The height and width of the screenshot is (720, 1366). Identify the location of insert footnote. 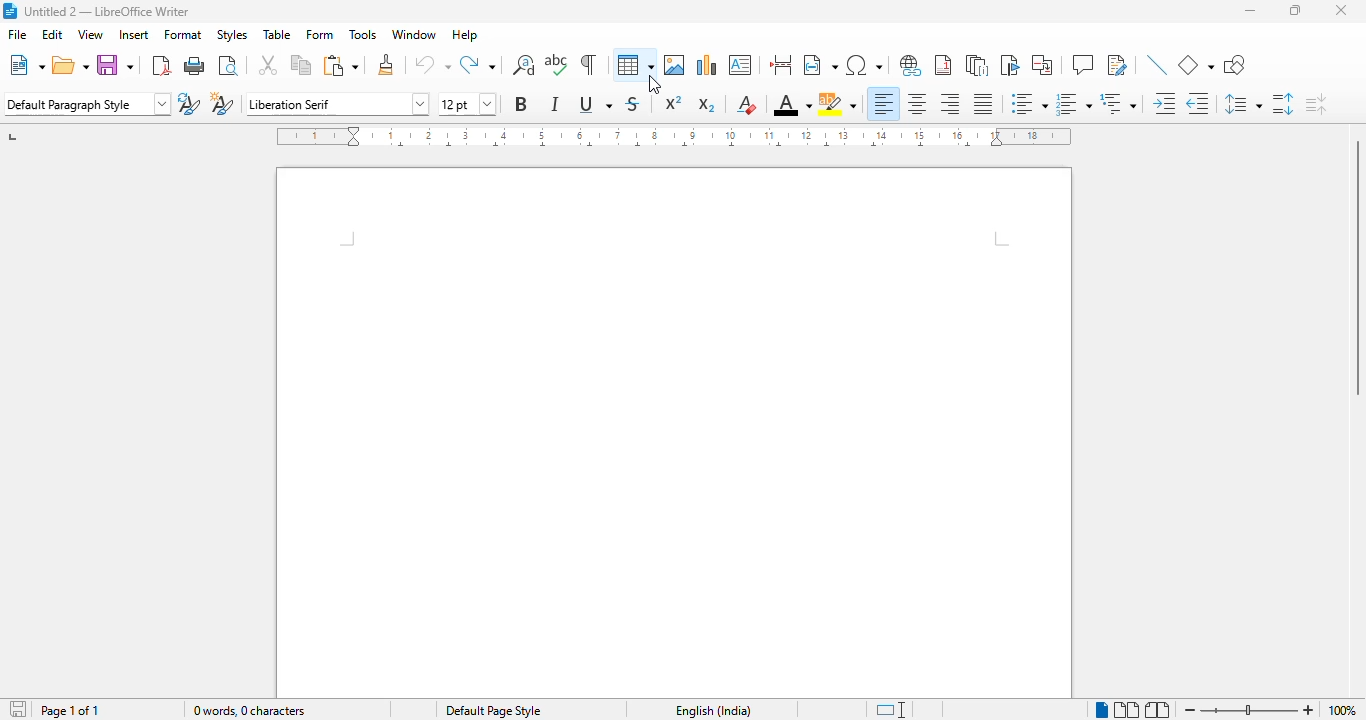
(943, 64).